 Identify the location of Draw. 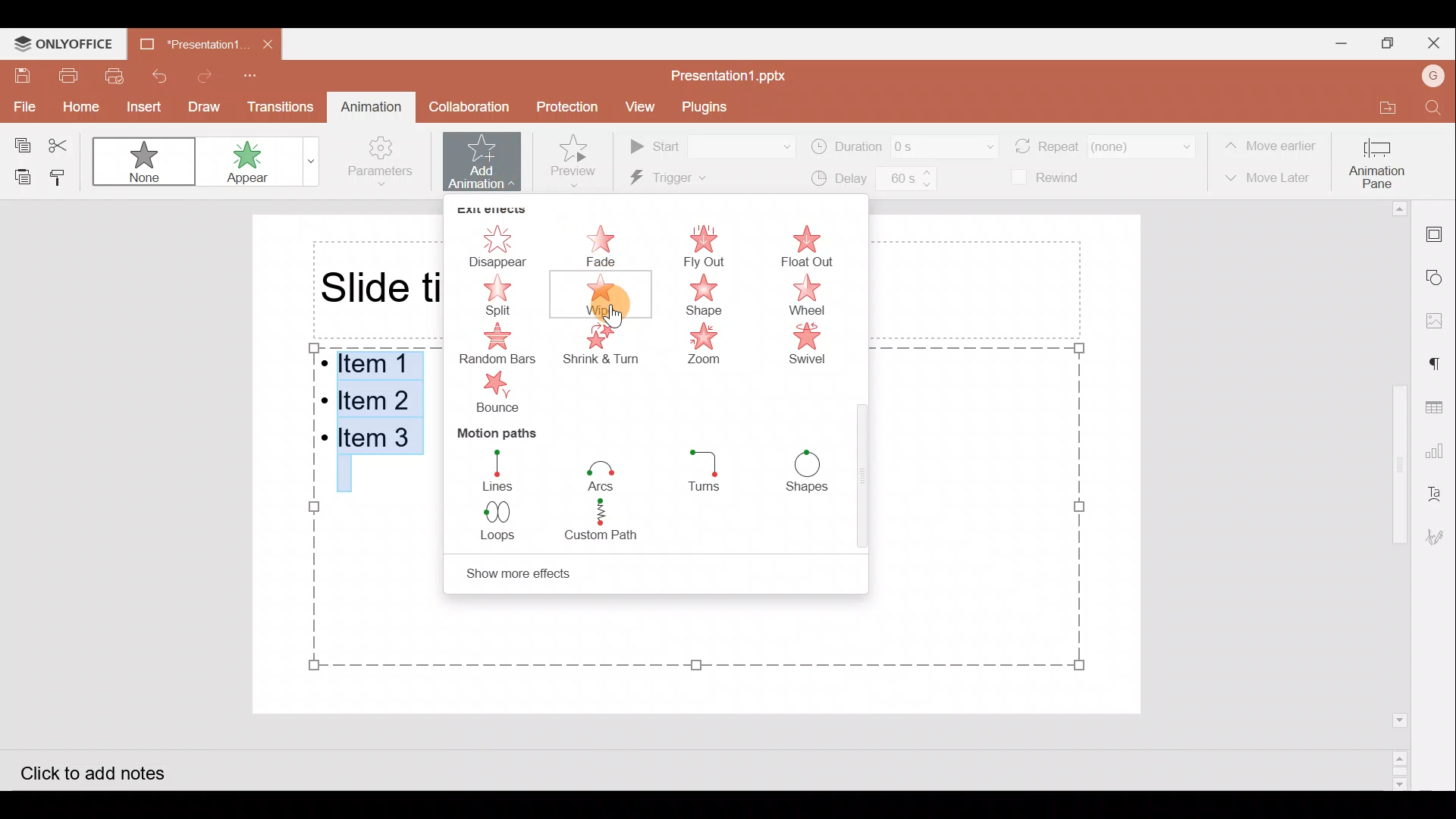
(201, 107).